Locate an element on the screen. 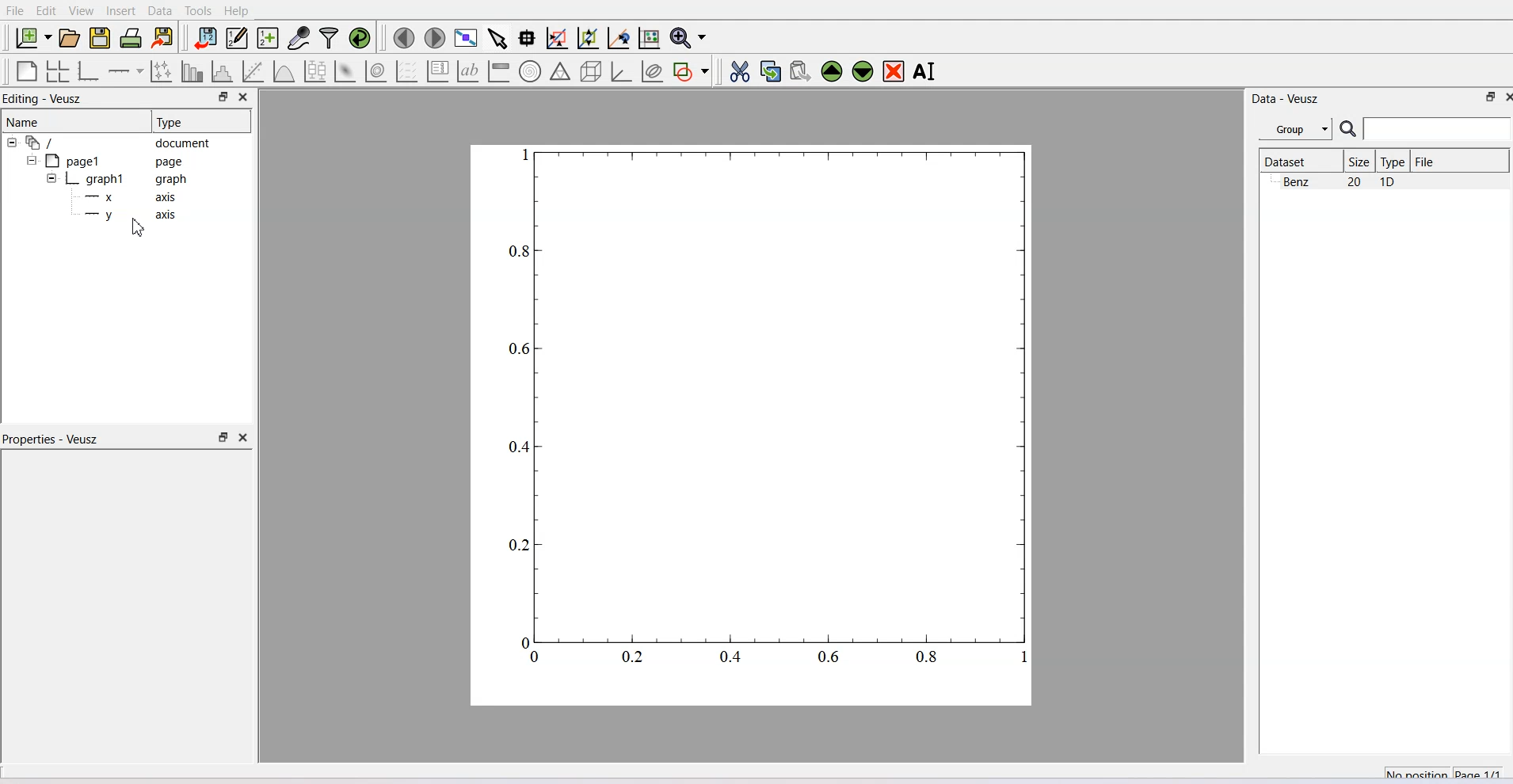 The image size is (1513, 784). Fit function to data is located at coordinates (253, 70).